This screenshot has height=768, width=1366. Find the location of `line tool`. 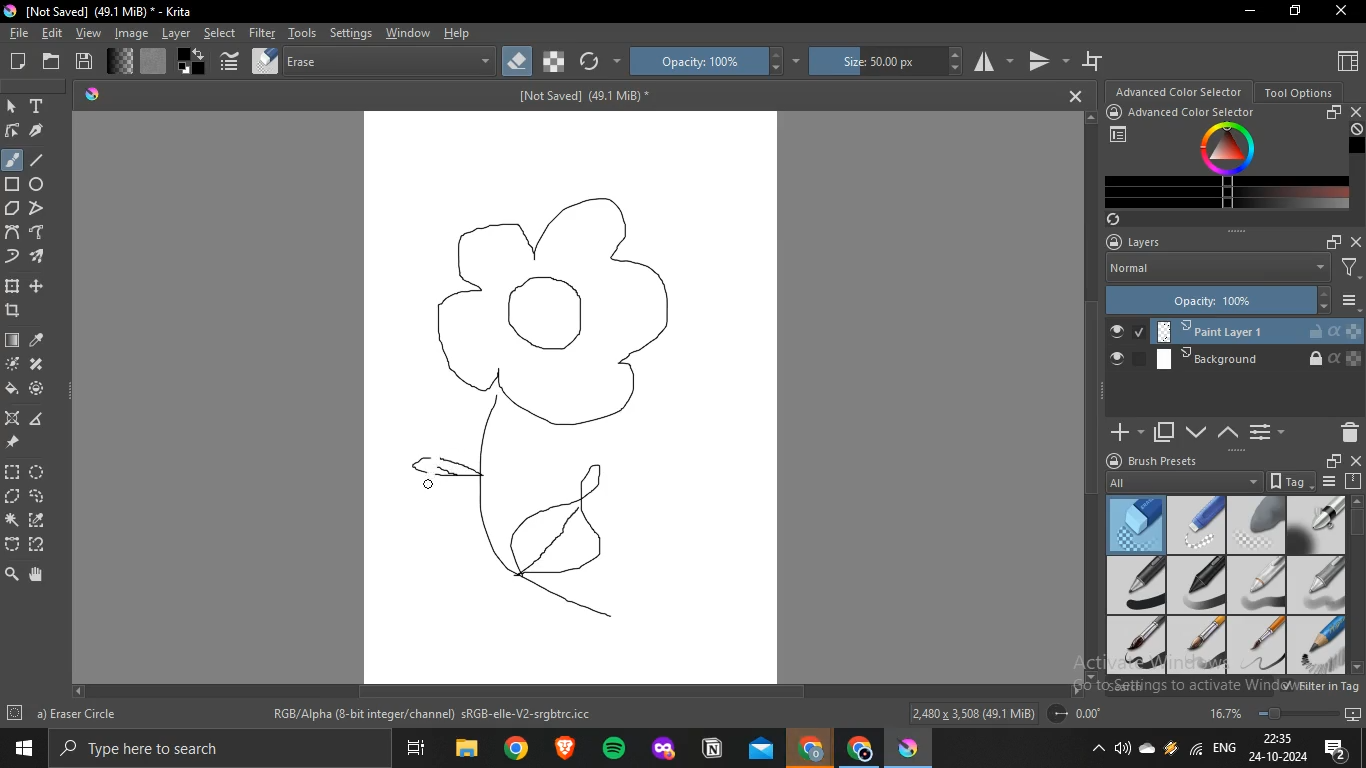

line tool is located at coordinates (43, 160).